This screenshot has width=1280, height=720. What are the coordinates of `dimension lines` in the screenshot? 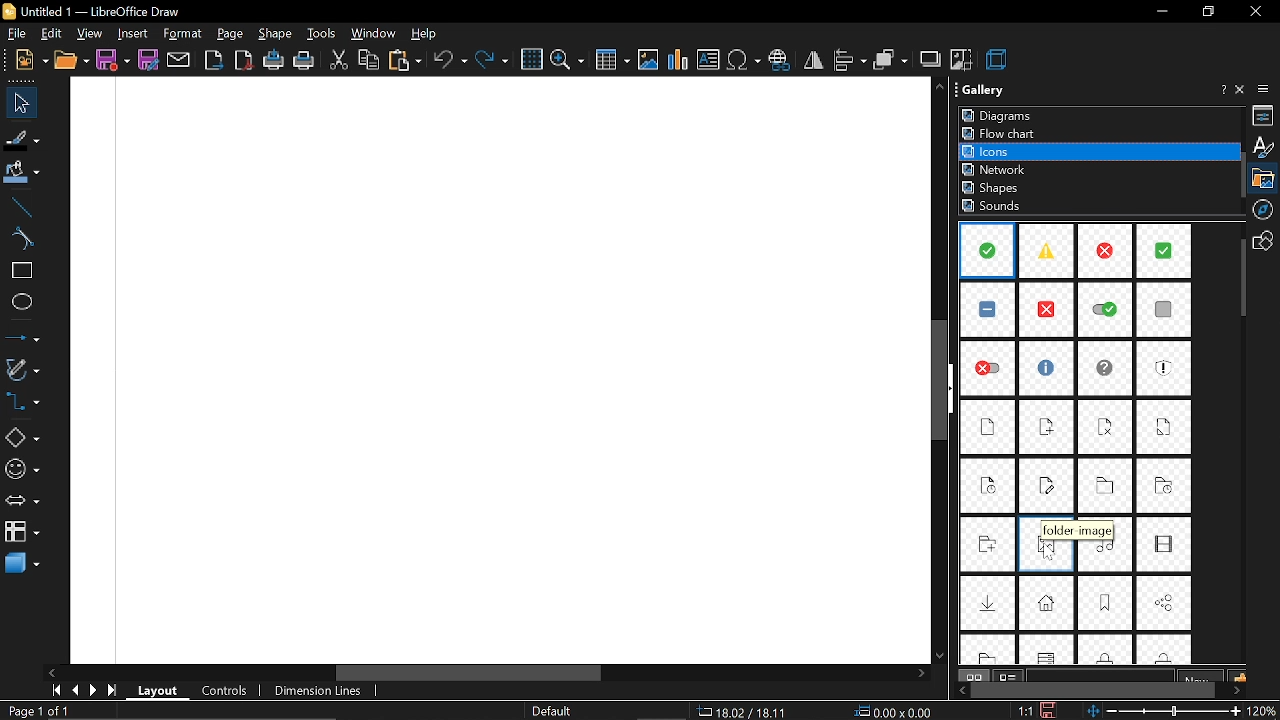 It's located at (322, 691).